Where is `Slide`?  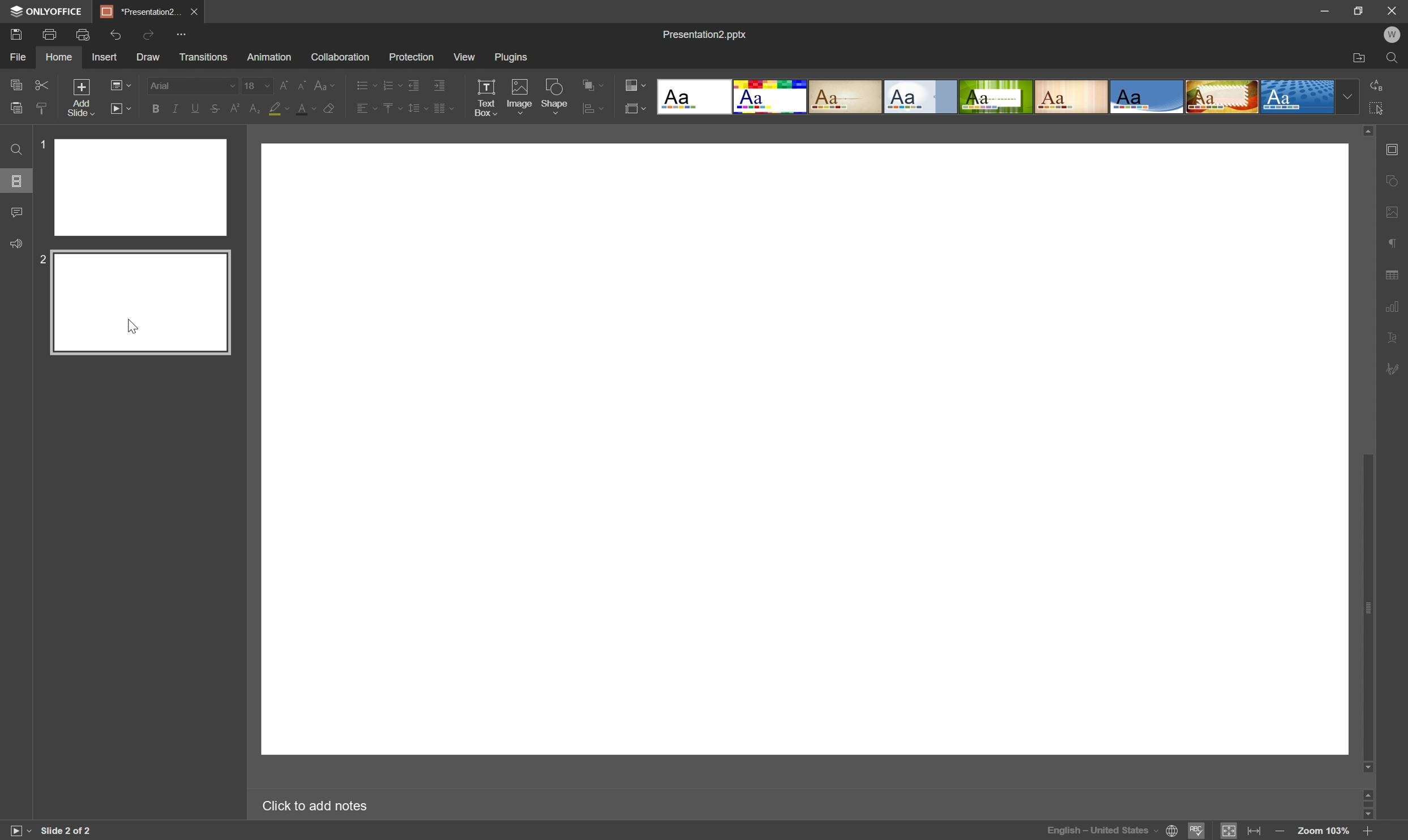
Slide is located at coordinates (140, 303).